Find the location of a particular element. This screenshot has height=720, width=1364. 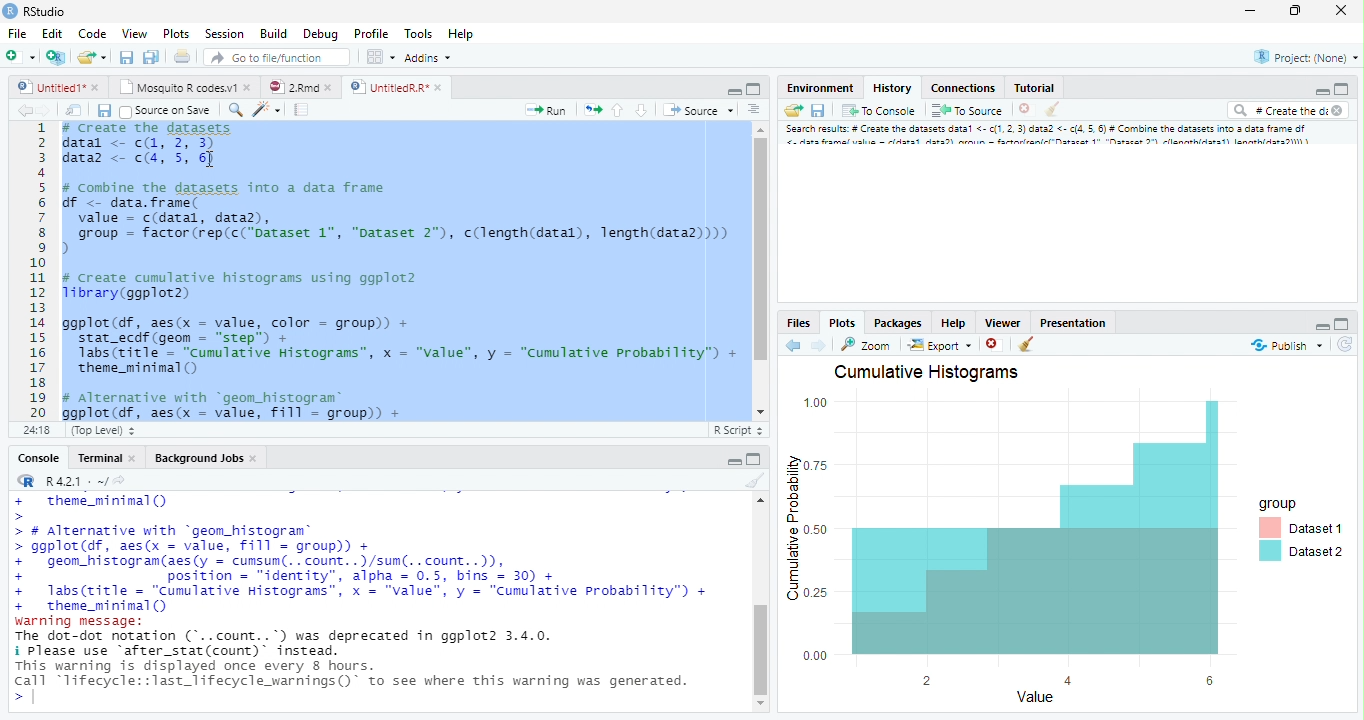

Plots is located at coordinates (841, 322).